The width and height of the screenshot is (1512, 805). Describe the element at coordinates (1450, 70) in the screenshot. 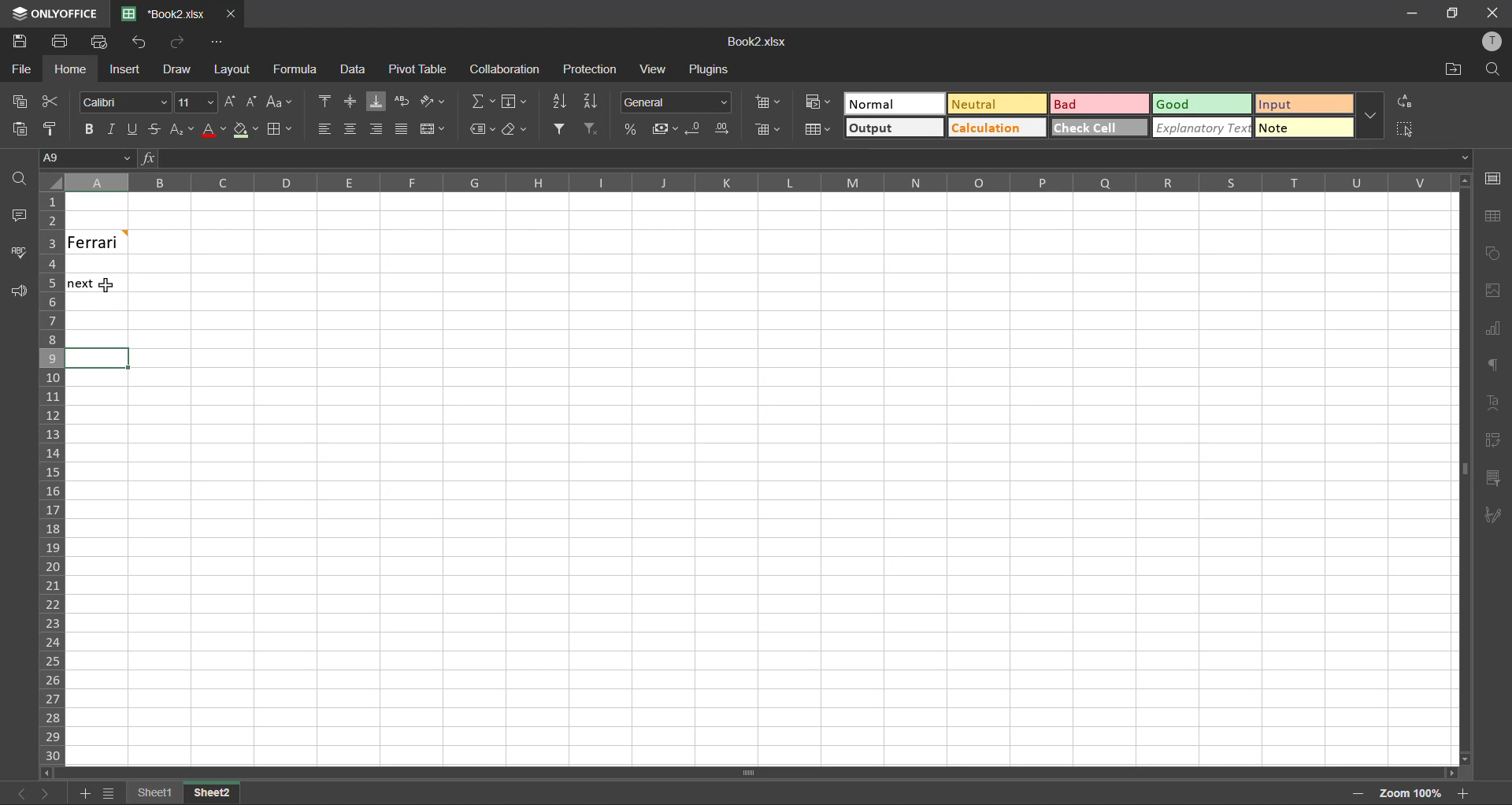

I see `open location` at that location.